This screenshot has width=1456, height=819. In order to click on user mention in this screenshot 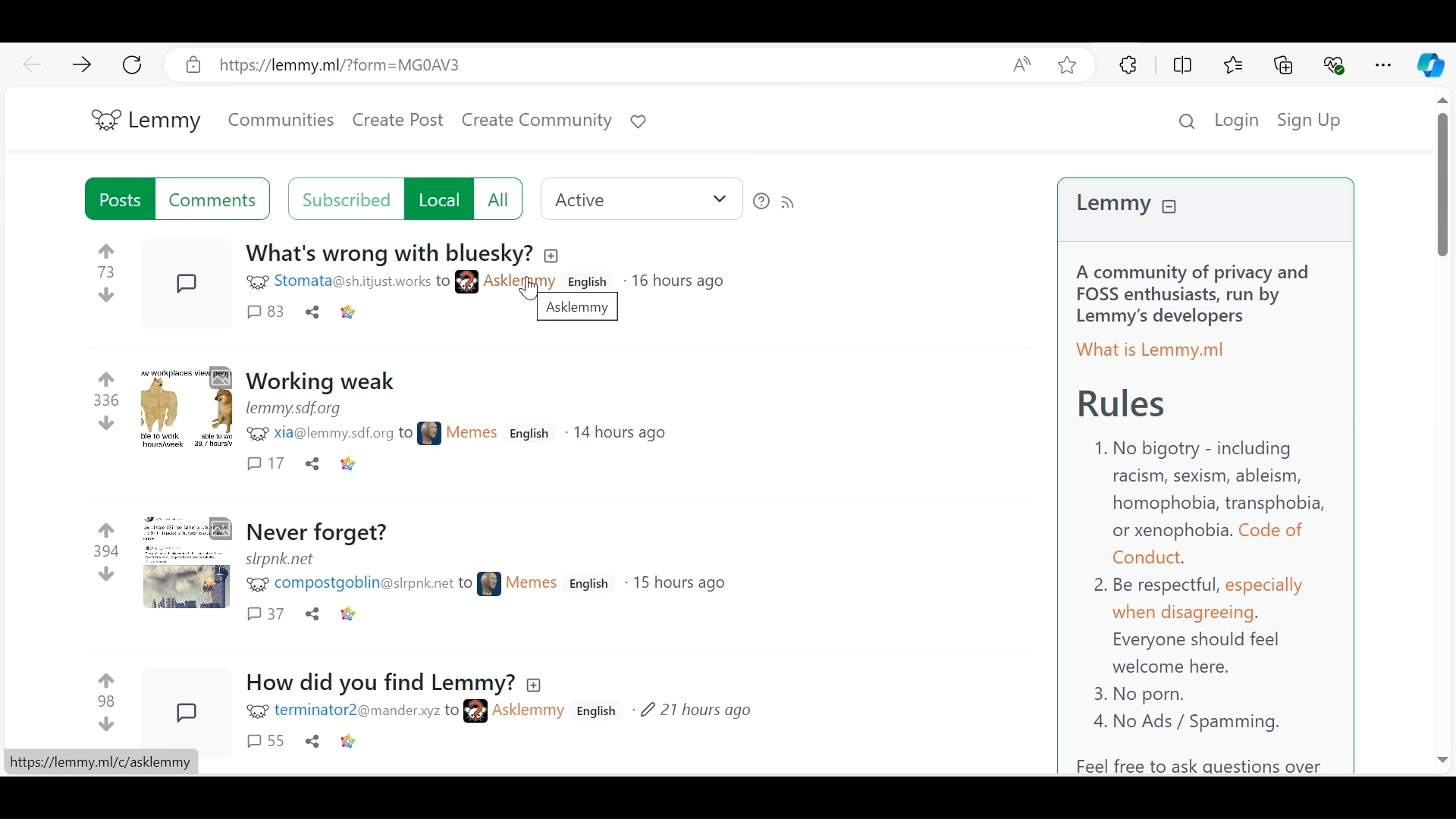, I will do `click(400, 585)`.